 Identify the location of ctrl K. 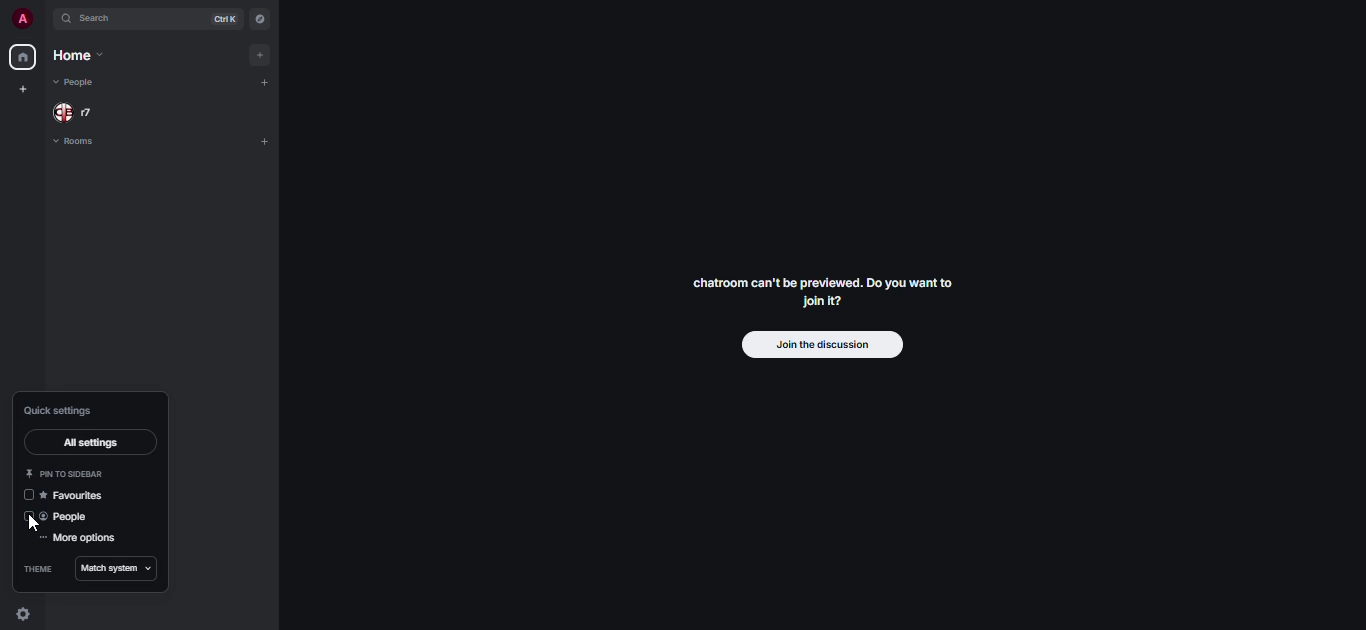
(220, 19).